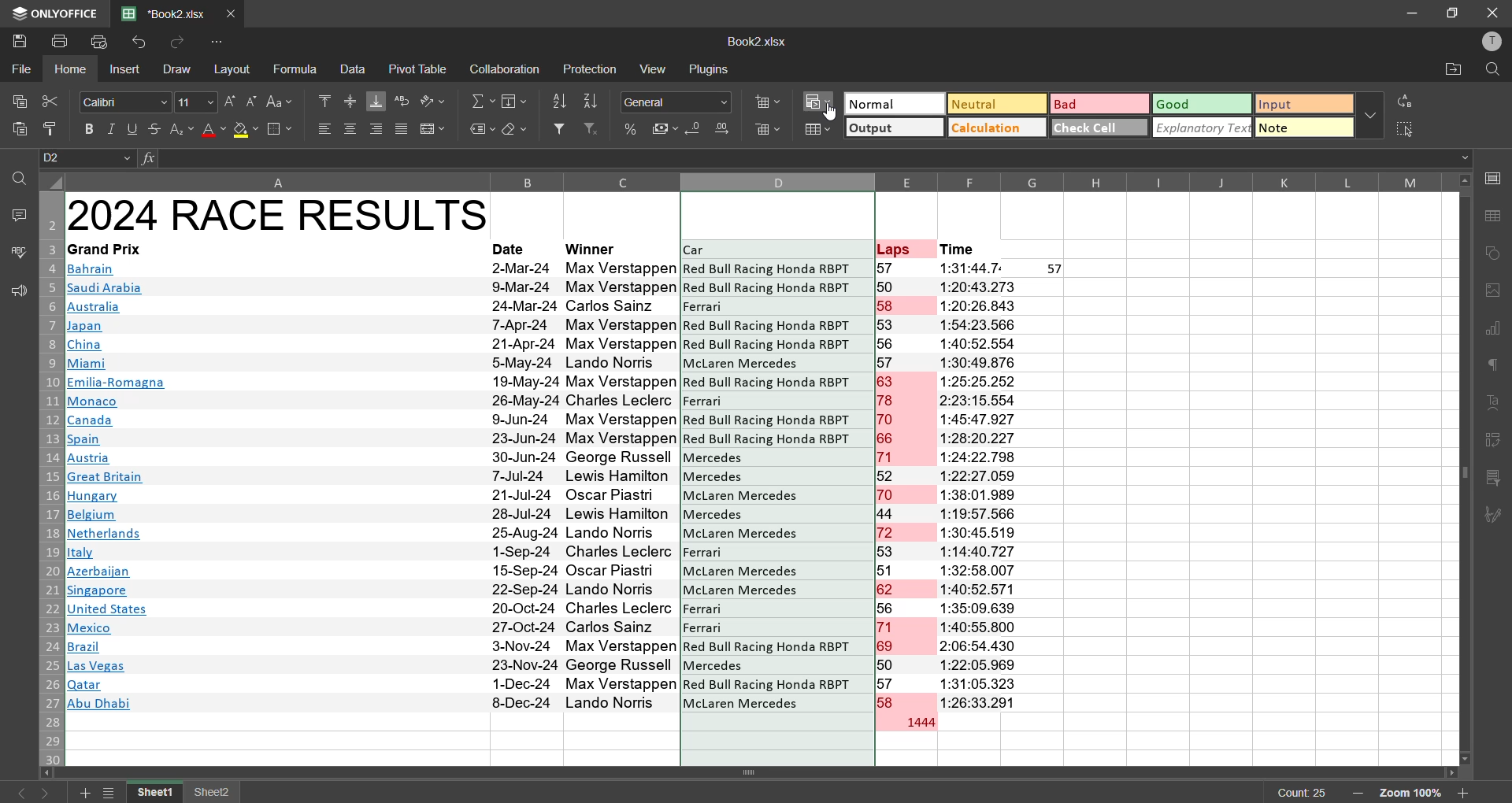 This screenshot has width=1512, height=803. I want to click on protection, so click(592, 71).